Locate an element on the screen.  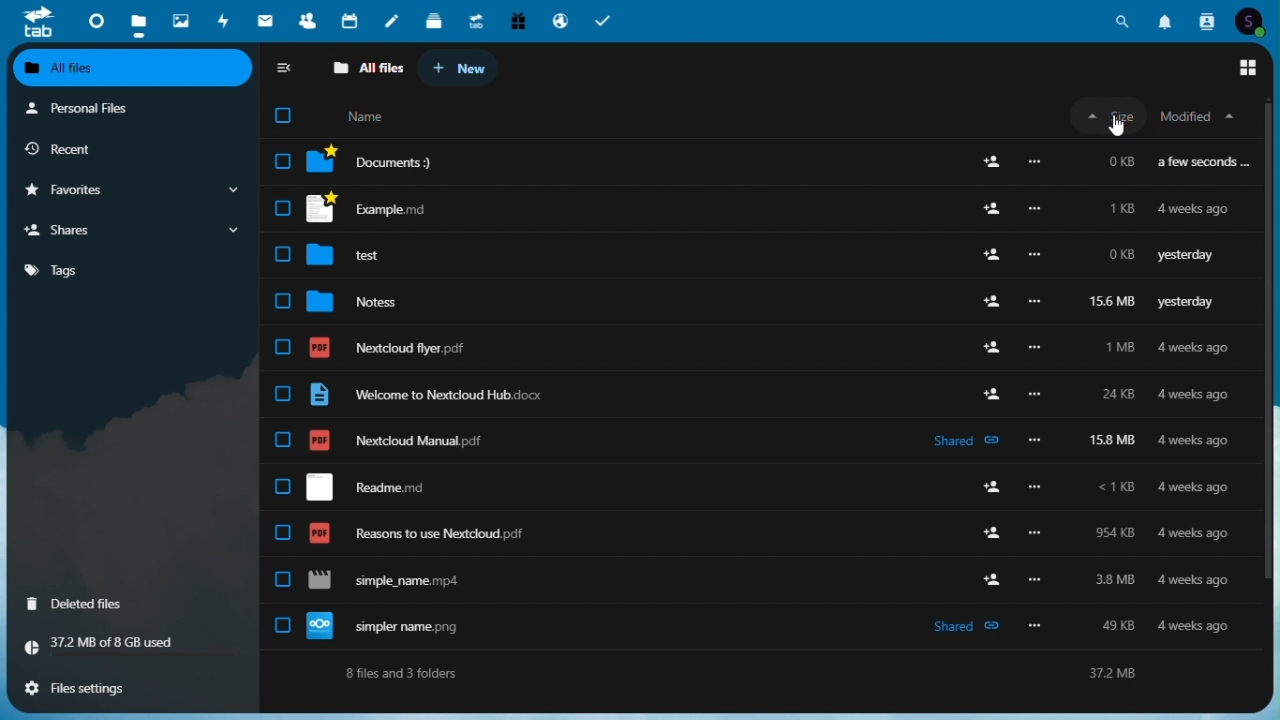
deck is located at coordinates (435, 18).